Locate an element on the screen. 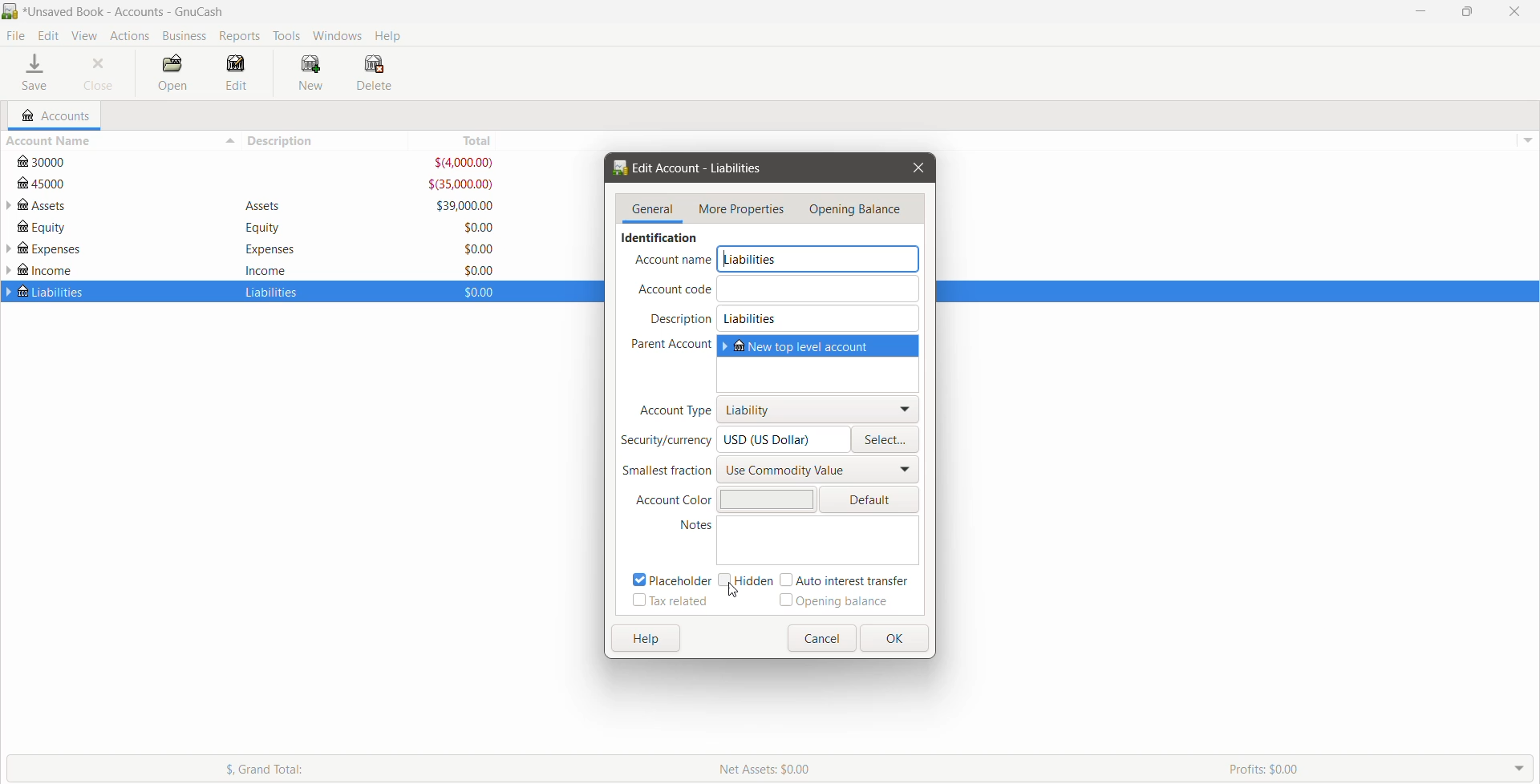 Image resolution: width=1540 pixels, height=784 pixels. Account name is located at coordinates (673, 261).